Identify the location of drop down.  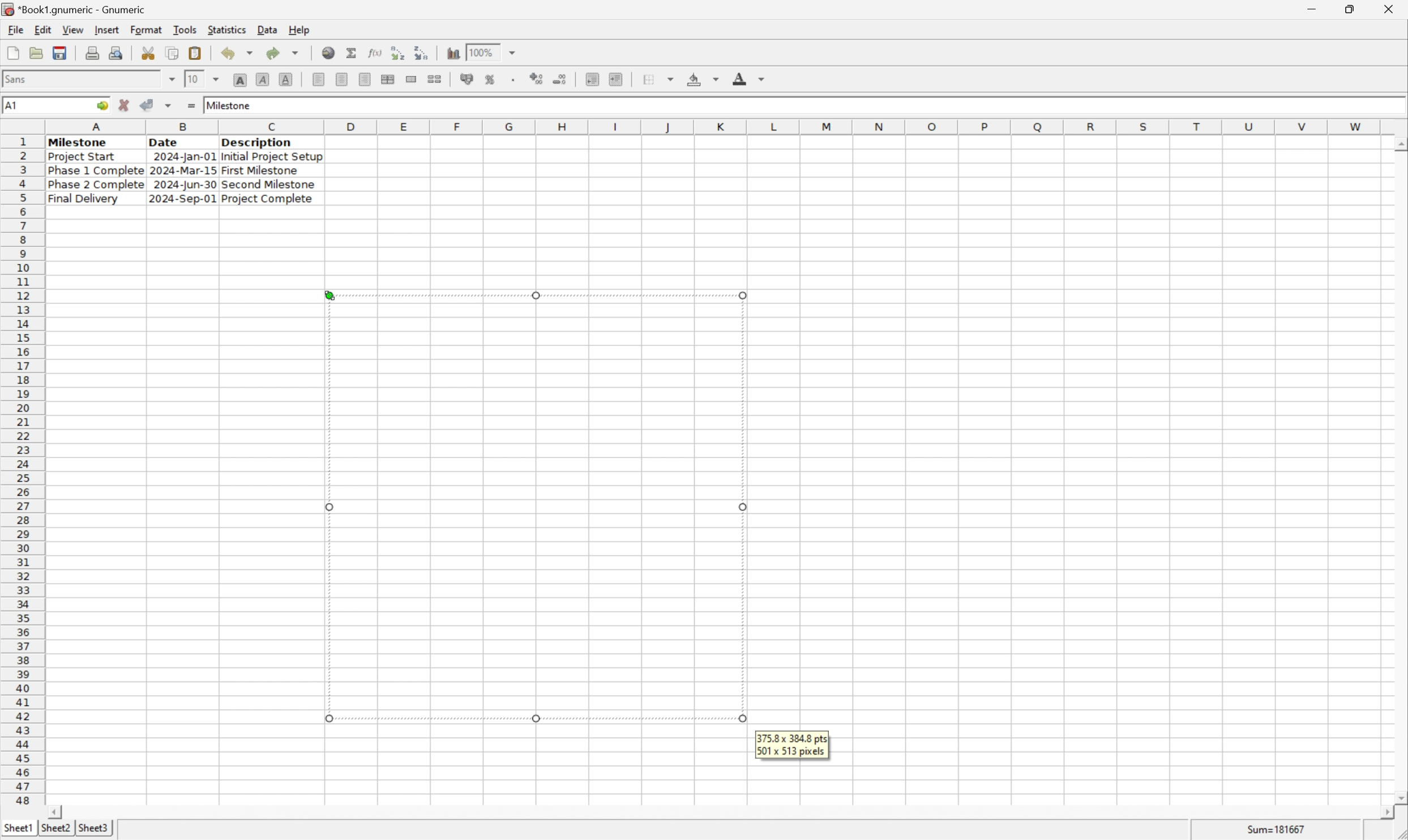
(217, 78).